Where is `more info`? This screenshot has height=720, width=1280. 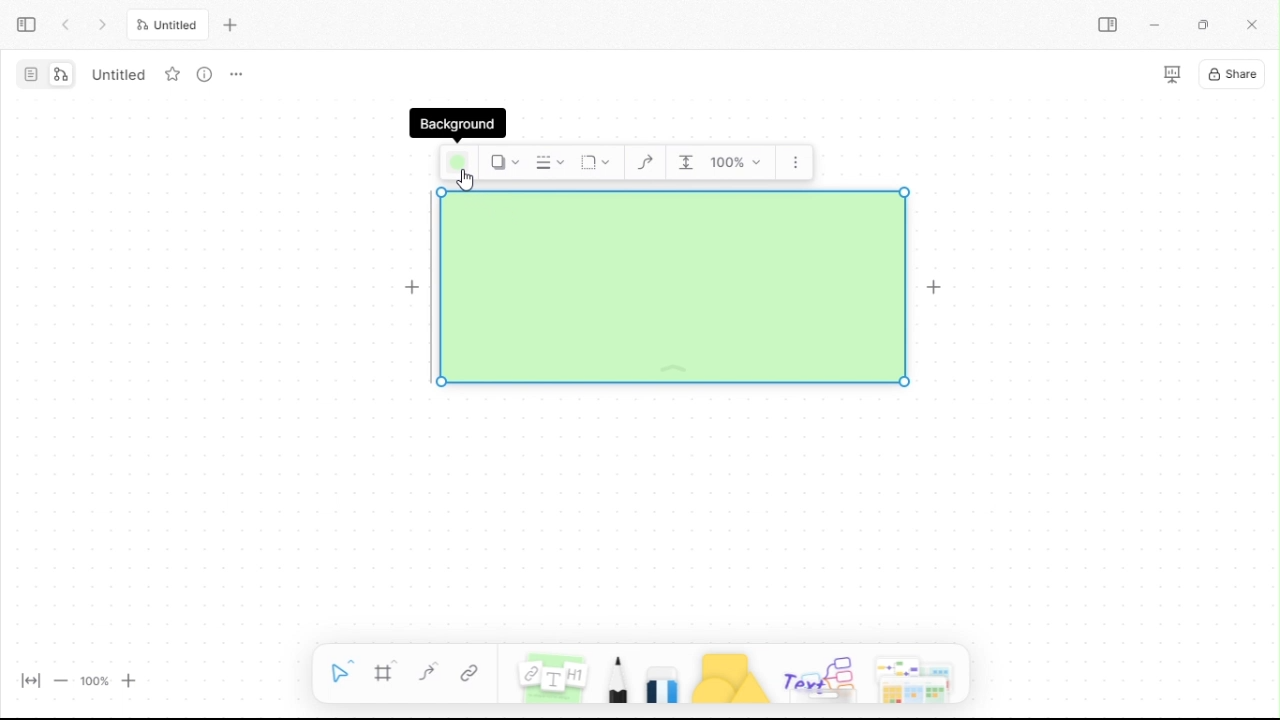
more info is located at coordinates (205, 73).